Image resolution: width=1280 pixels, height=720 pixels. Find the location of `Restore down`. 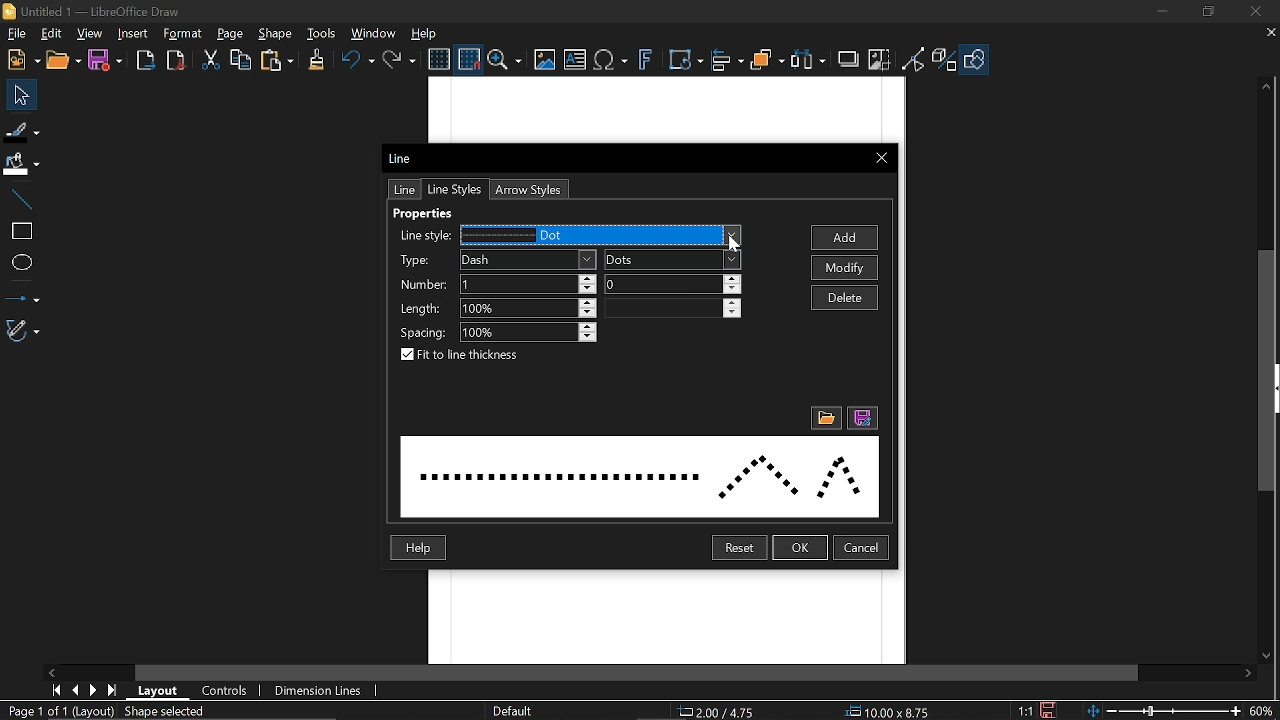

Restore down is located at coordinates (1208, 13).